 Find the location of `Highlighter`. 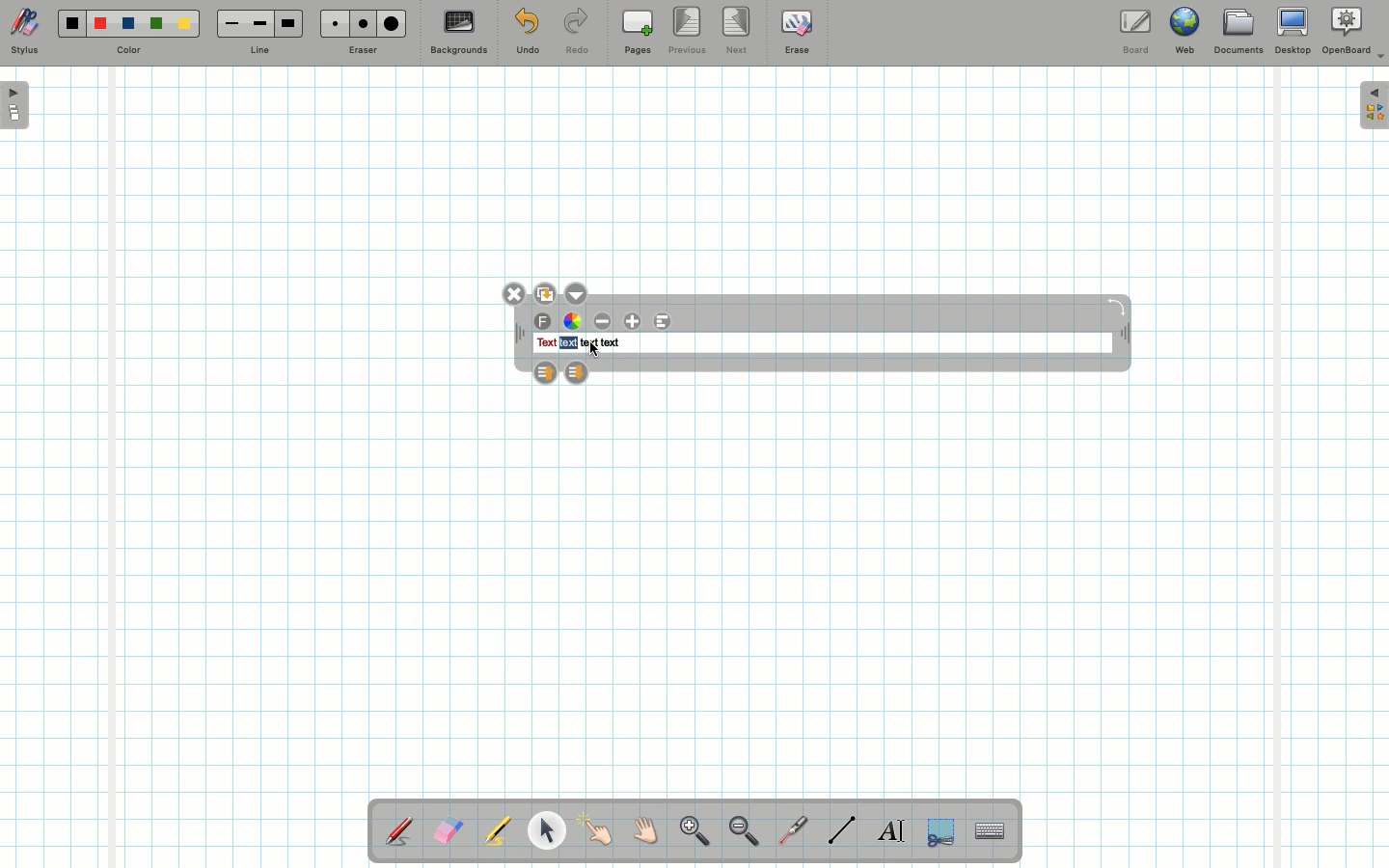

Highlighter is located at coordinates (496, 832).